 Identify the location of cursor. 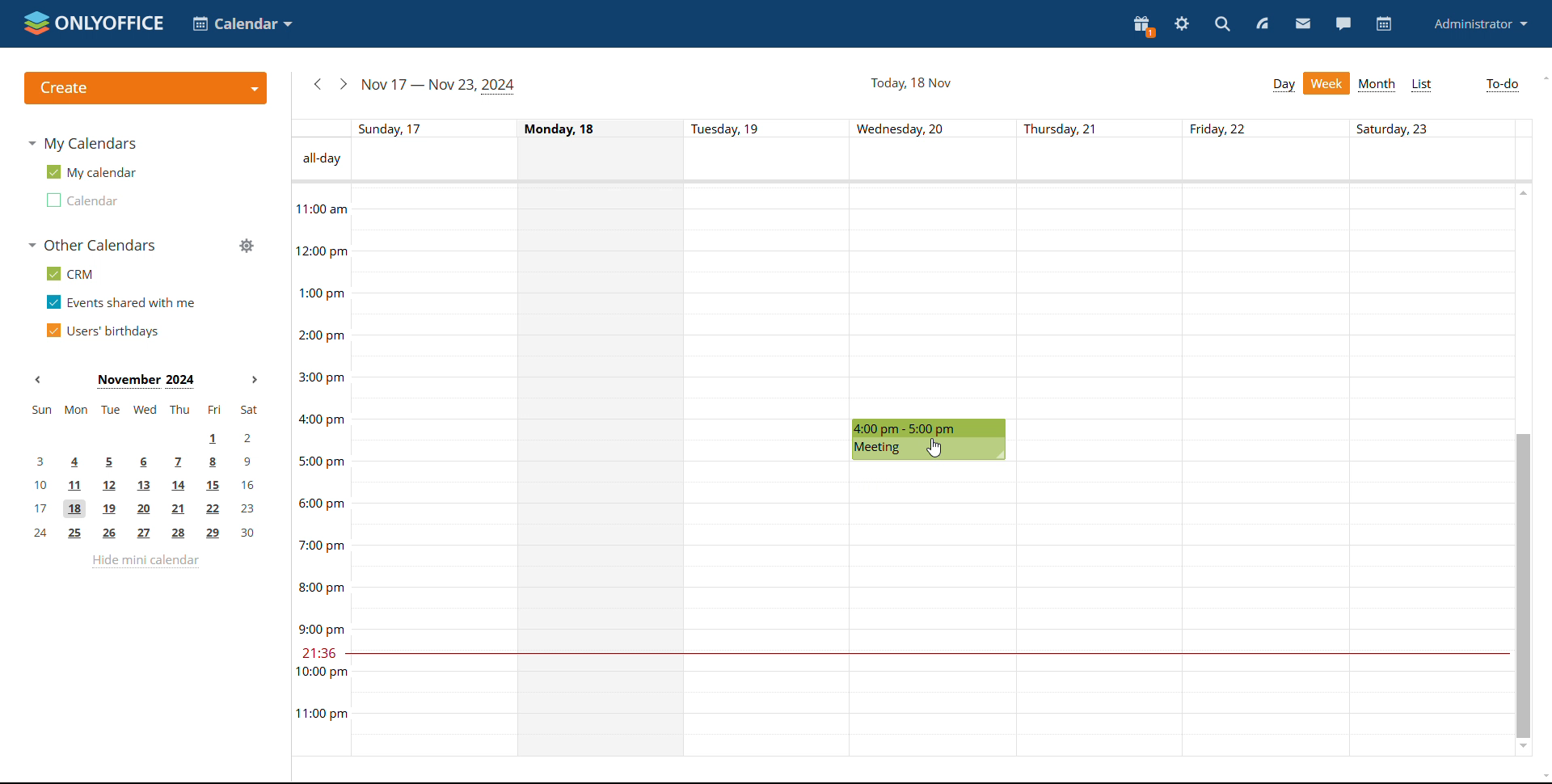
(934, 448).